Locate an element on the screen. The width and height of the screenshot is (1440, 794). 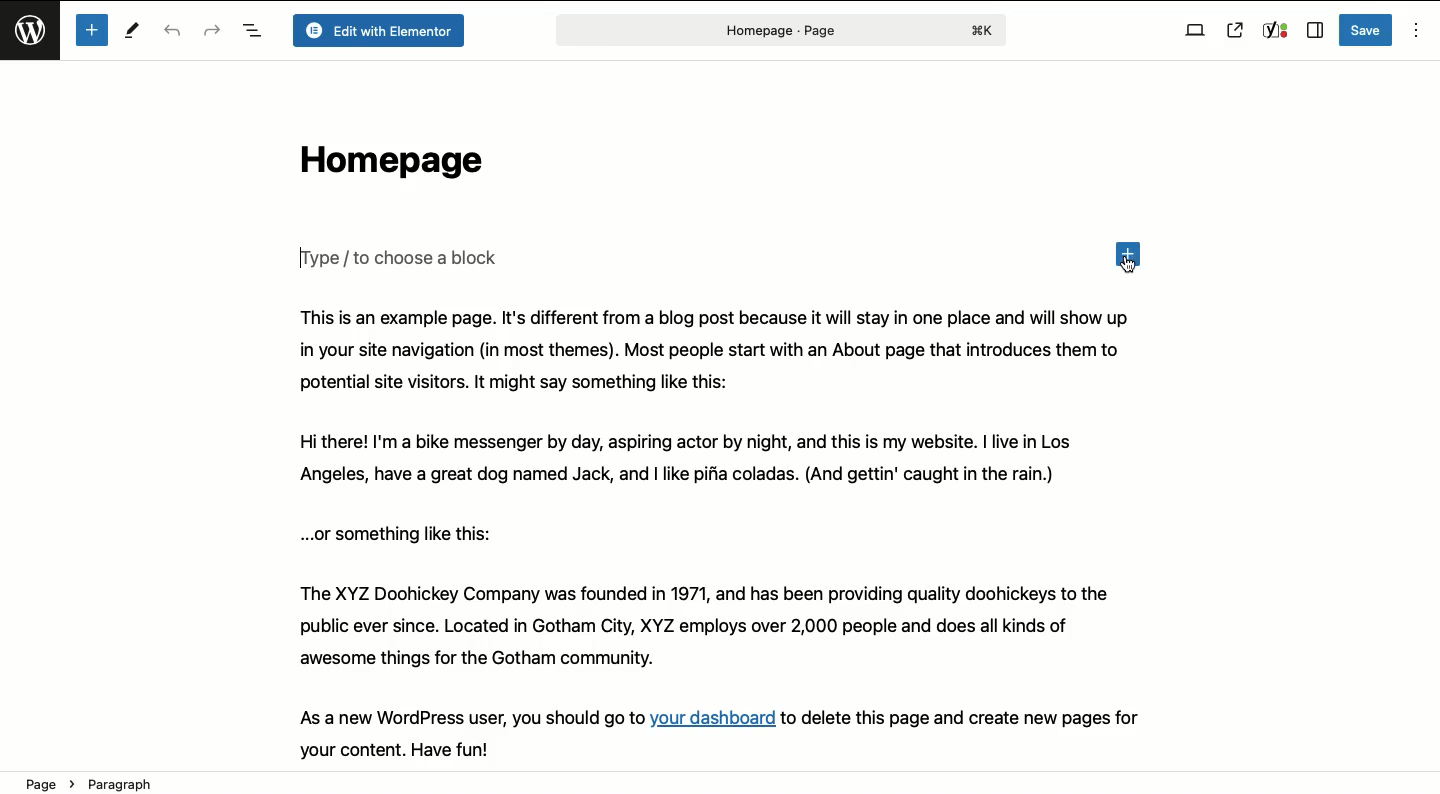
As a new WordPress user, you should go to your dashboard to delete this page and create new pages for
your content. Have fun! is located at coordinates (742, 732).